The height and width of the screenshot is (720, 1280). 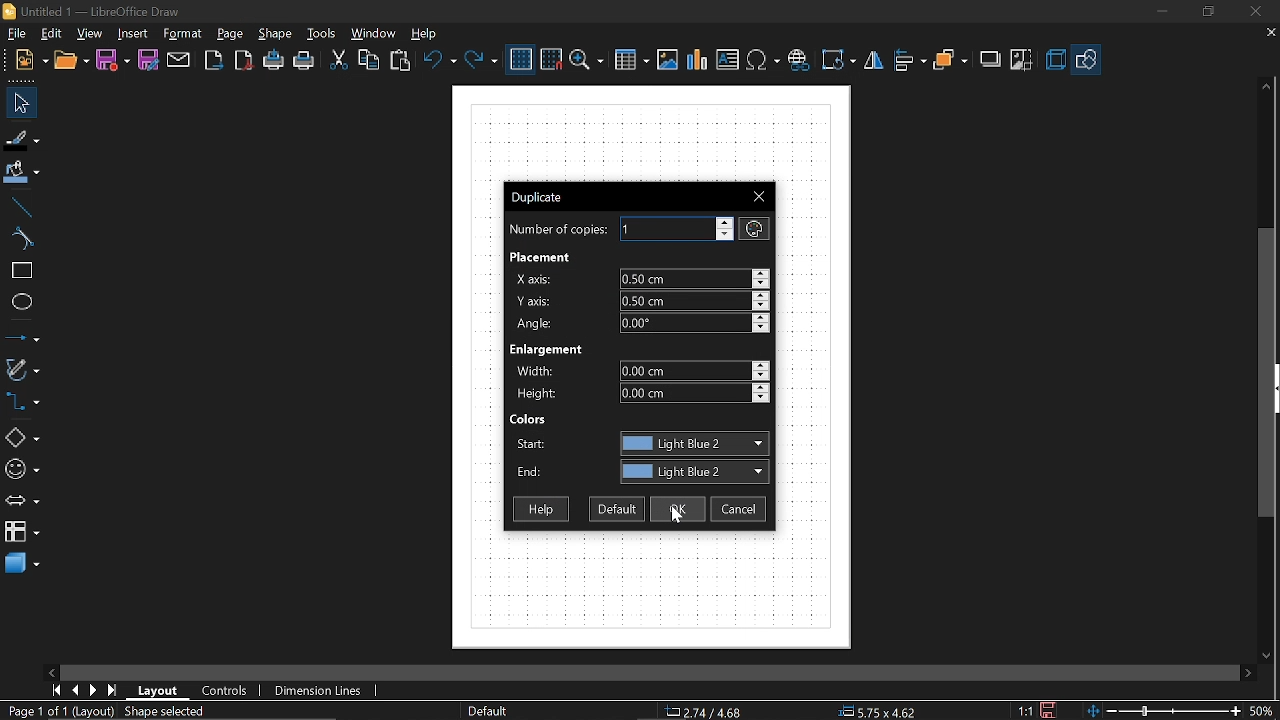 What do you see at coordinates (692, 371) in the screenshot?
I see `width` at bounding box center [692, 371].